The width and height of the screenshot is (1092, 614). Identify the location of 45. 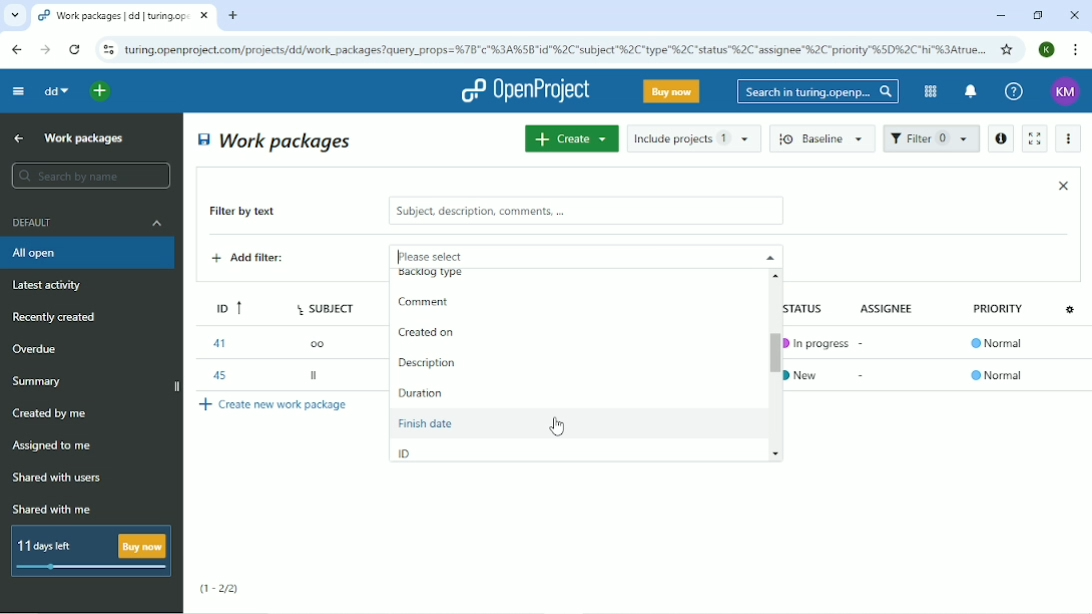
(217, 373).